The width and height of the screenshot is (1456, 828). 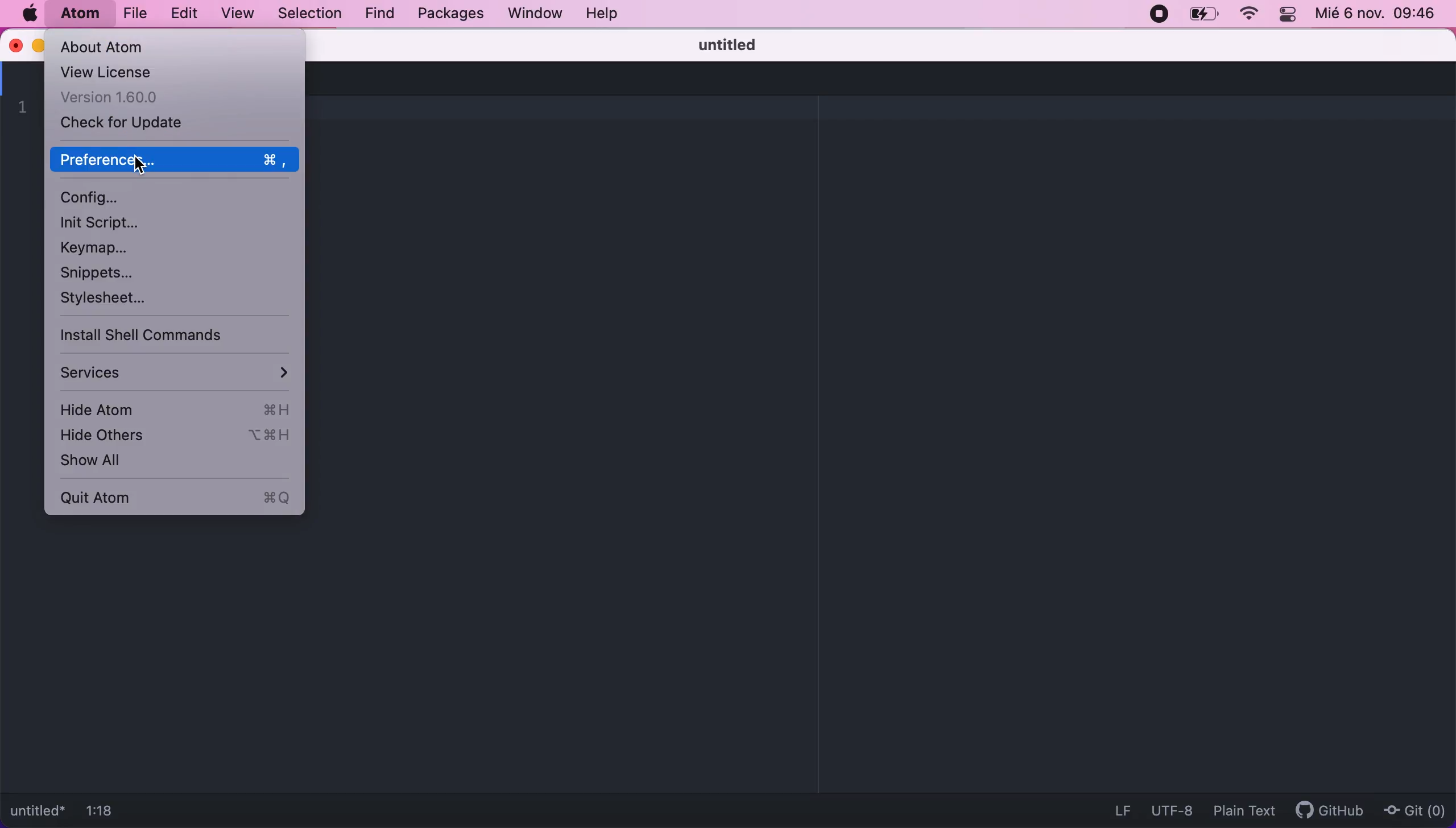 I want to click on 1:18, so click(x=110, y=810).